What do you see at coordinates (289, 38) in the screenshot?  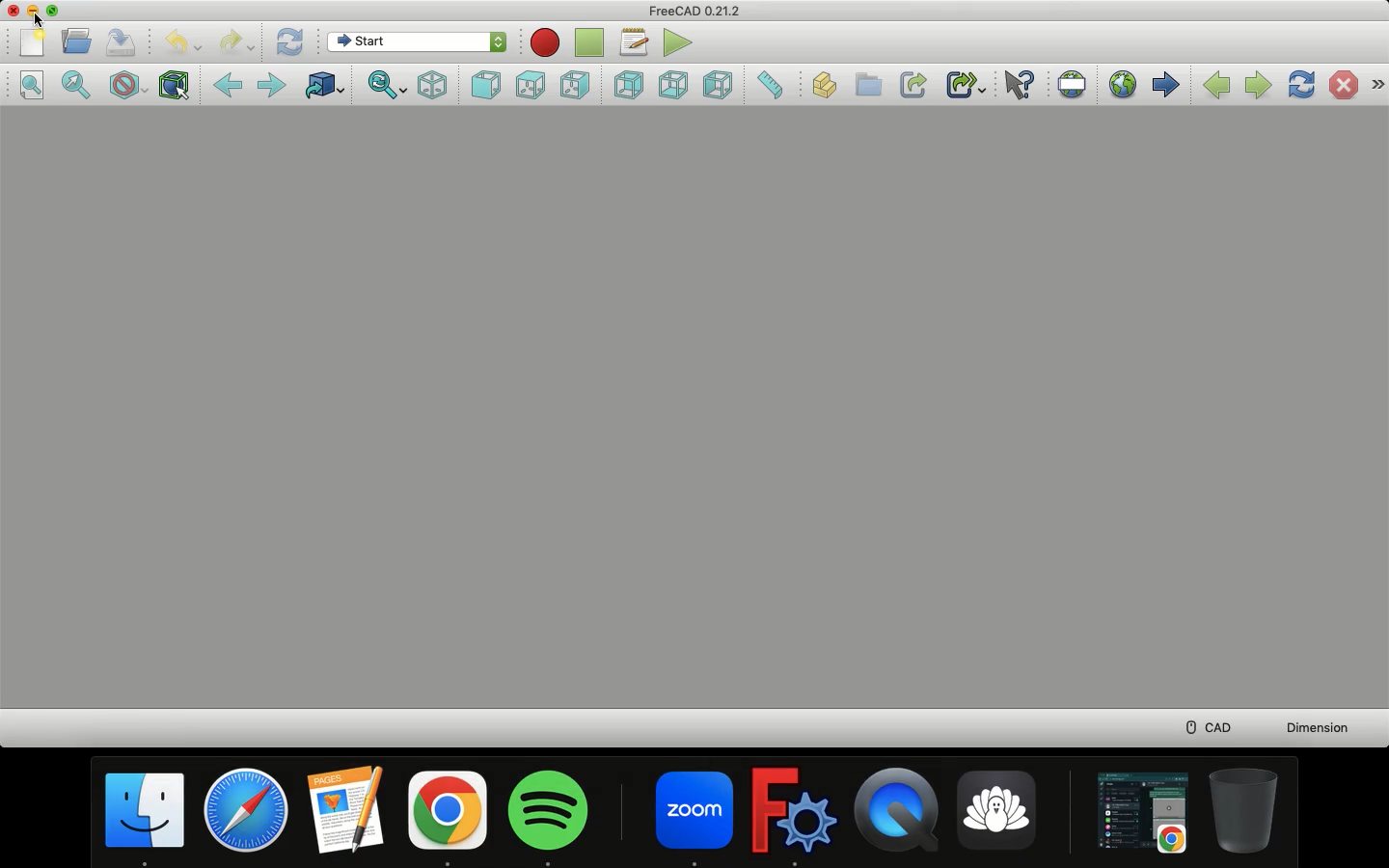 I see `refresh` at bounding box center [289, 38].